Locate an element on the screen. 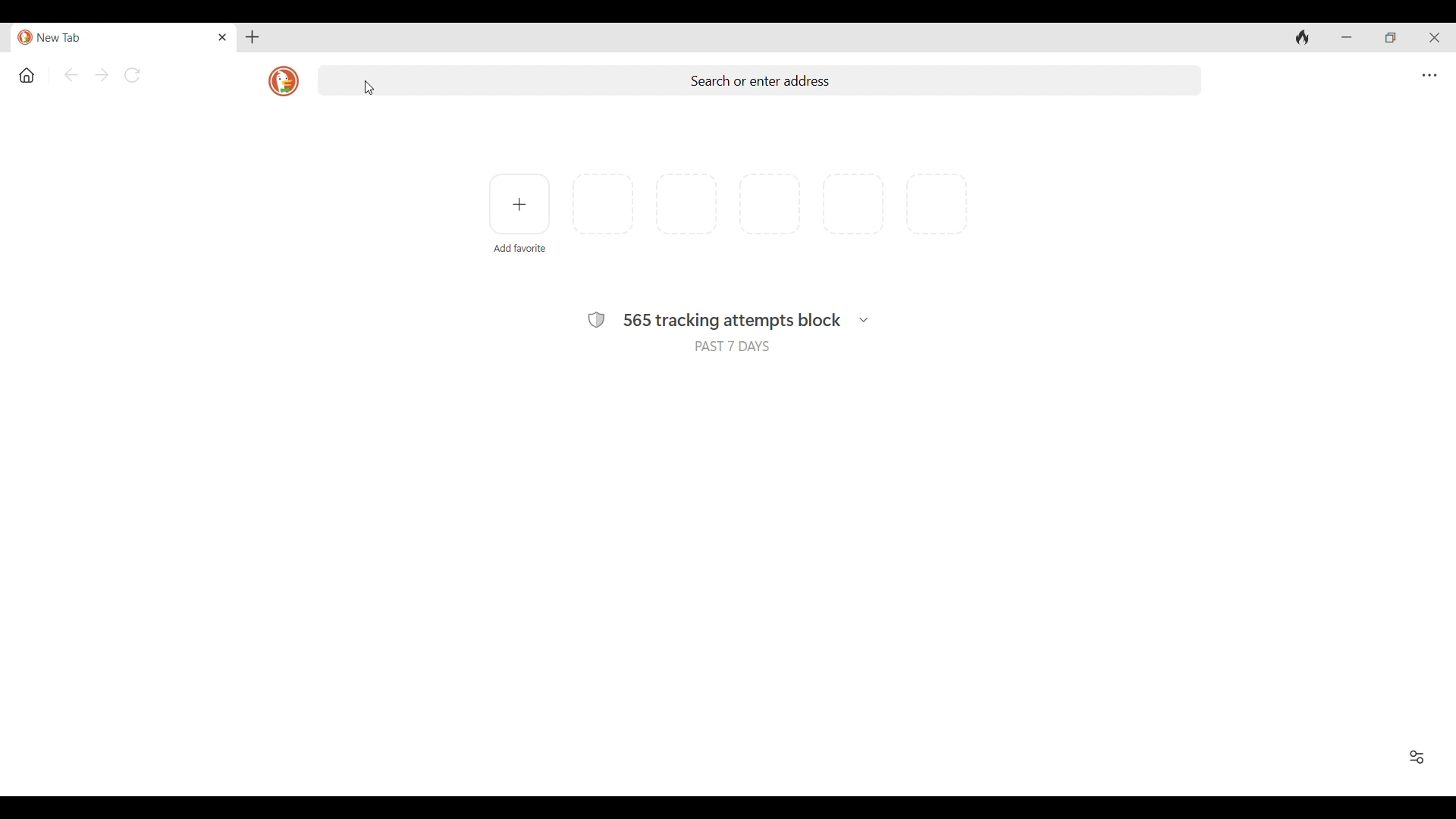 The width and height of the screenshot is (1456, 819). Go forward is located at coordinates (102, 75).